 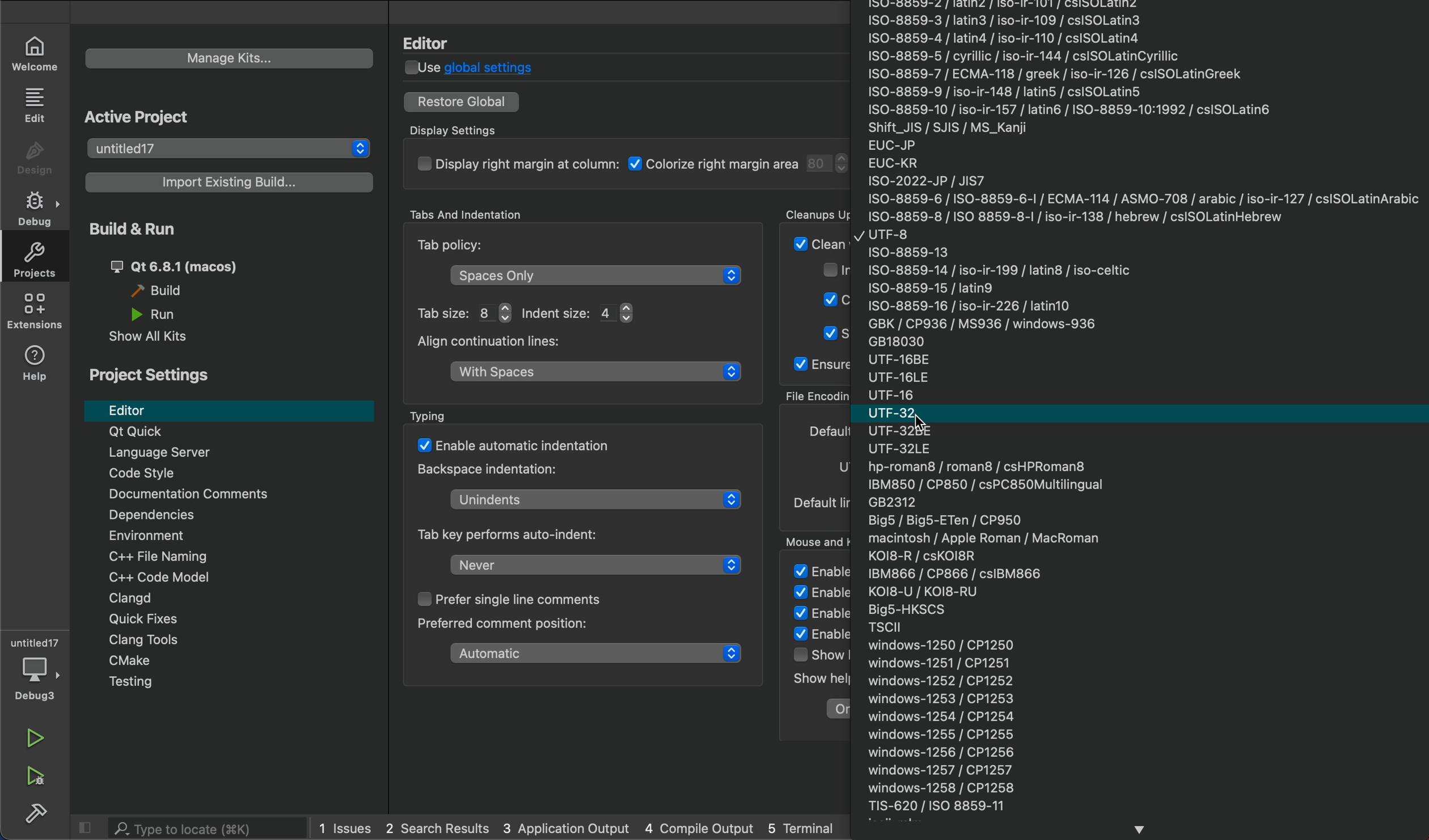 What do you see at coordinates (822, 540) in the screenshot?
I see `Mouse ad Keyboard` at bounding box center [822, 540].